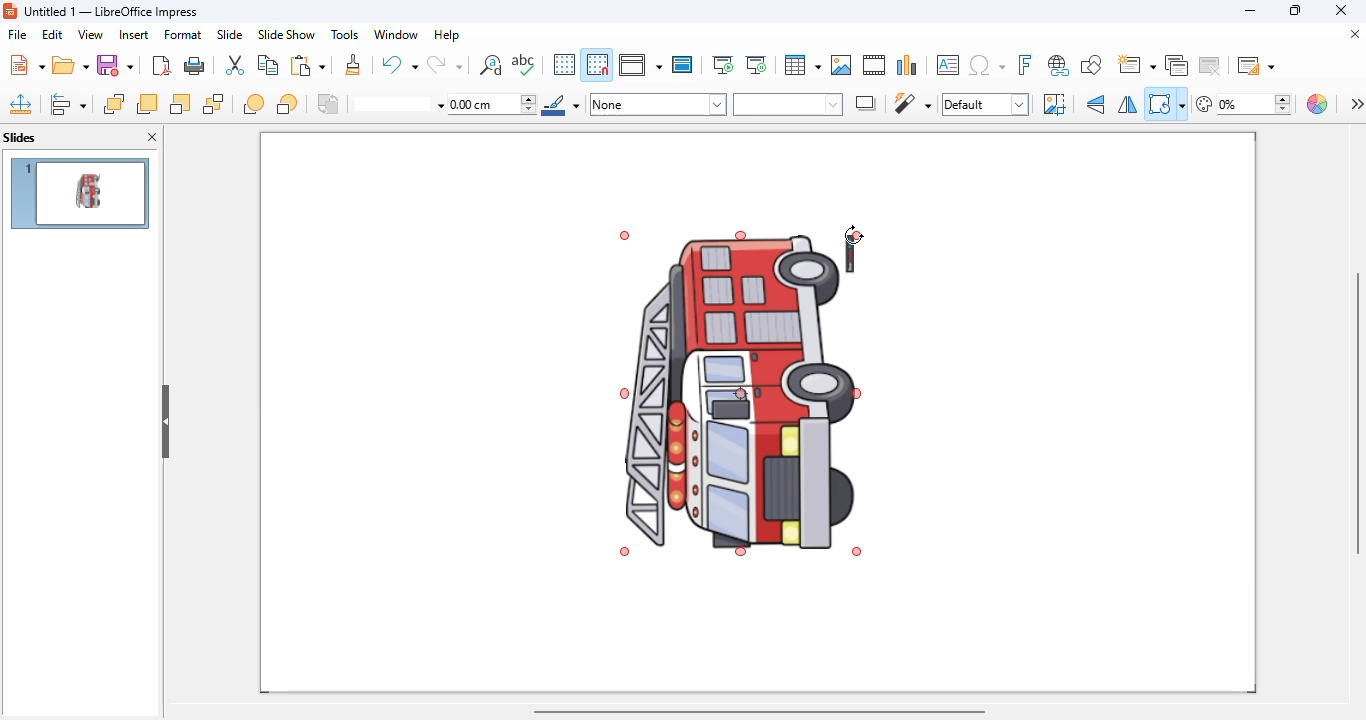  What do you see at coordinates (1054, 104) in the screenshot?
I see `crop image` at bounding box center [1054, 104].